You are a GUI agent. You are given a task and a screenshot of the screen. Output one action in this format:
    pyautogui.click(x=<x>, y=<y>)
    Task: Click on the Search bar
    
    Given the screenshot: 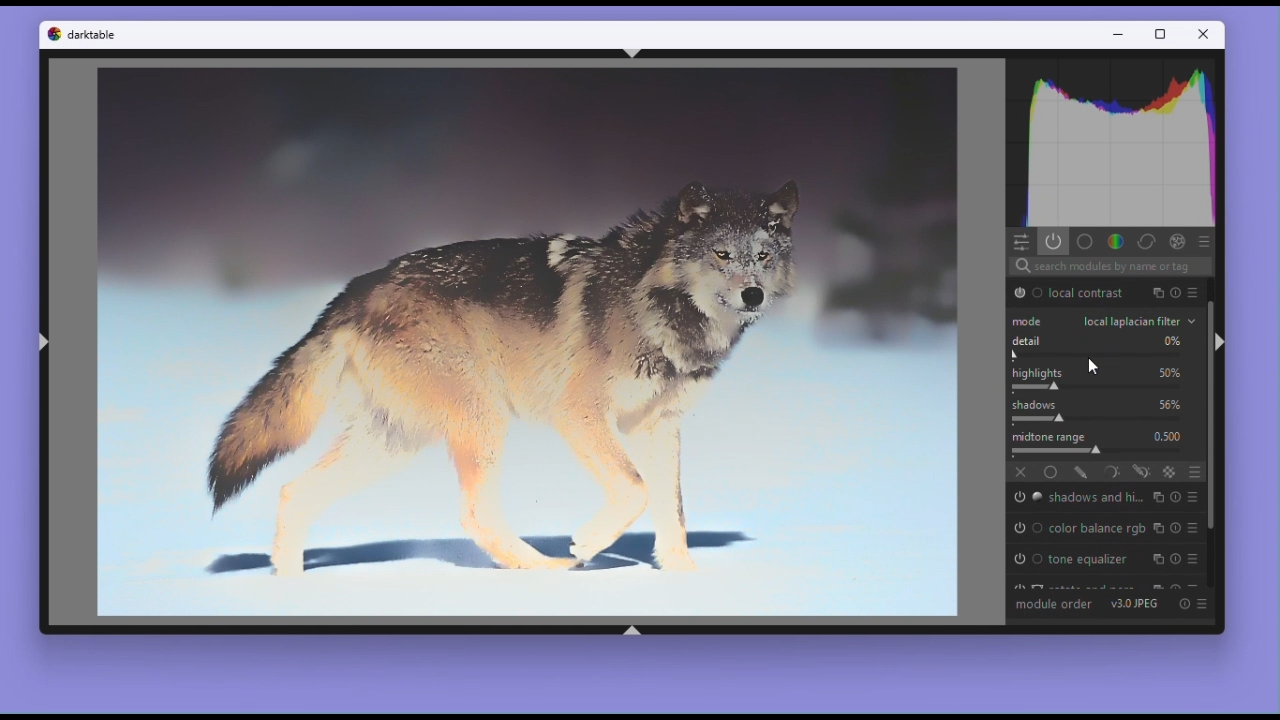 What is the action you would take?
    pyautogui.click(x=1111, y=265)
    